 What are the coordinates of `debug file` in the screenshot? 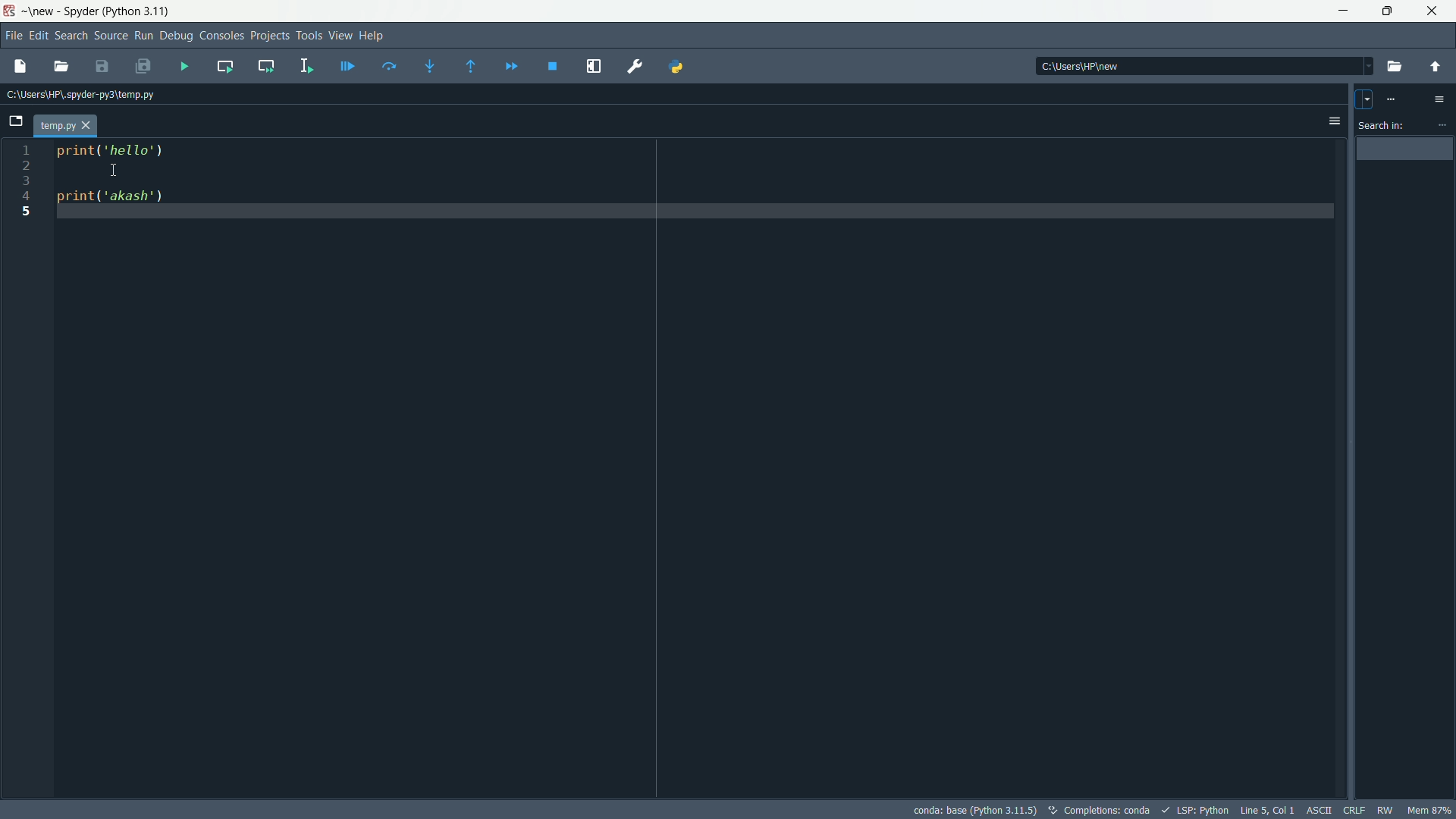 It's located at (184, 66).